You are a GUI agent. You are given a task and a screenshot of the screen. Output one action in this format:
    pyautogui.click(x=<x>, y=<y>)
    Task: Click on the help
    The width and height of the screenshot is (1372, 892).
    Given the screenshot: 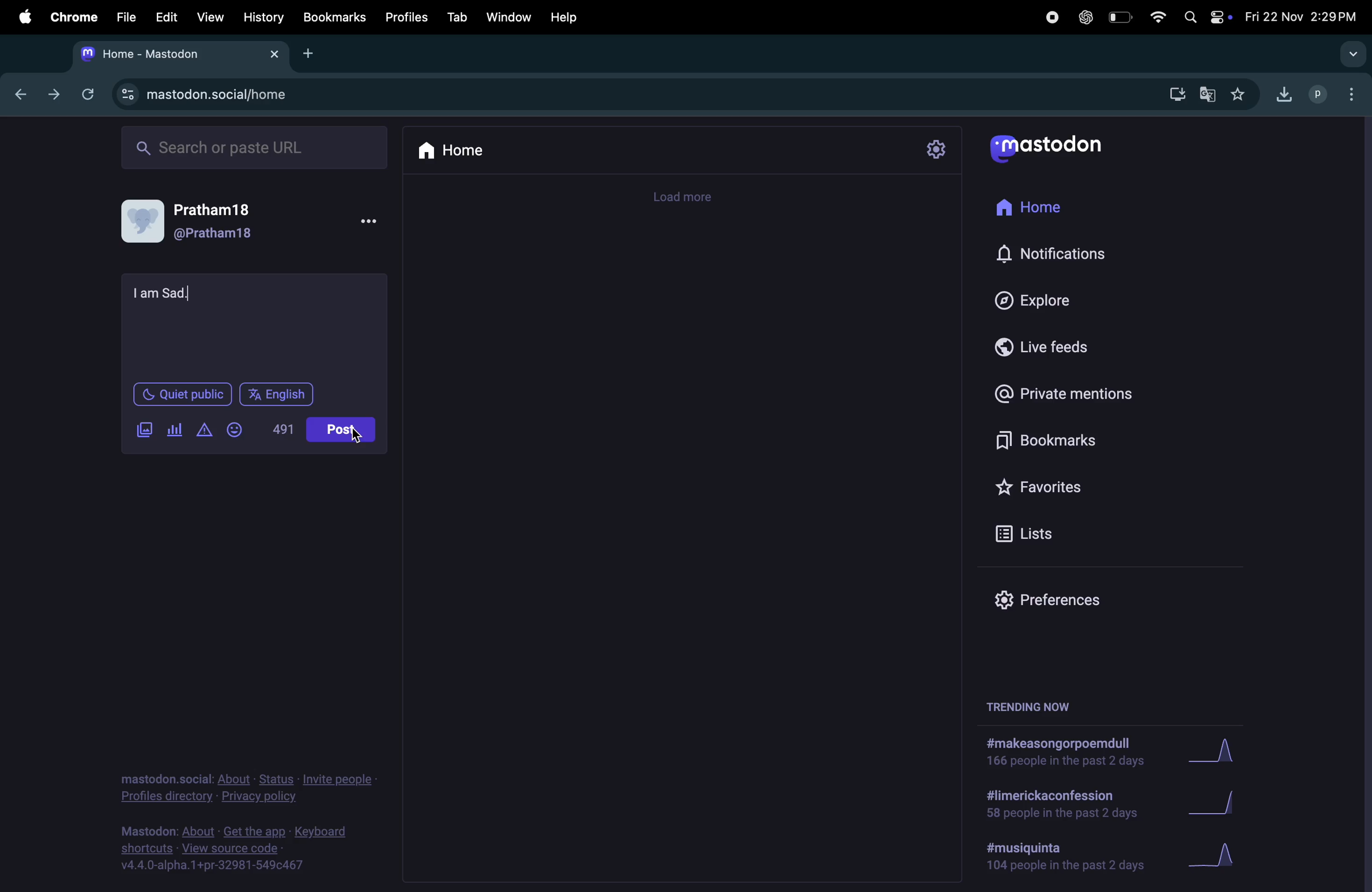 What is the action you would take?
    pyautogui.click(x=567, y=17)
    